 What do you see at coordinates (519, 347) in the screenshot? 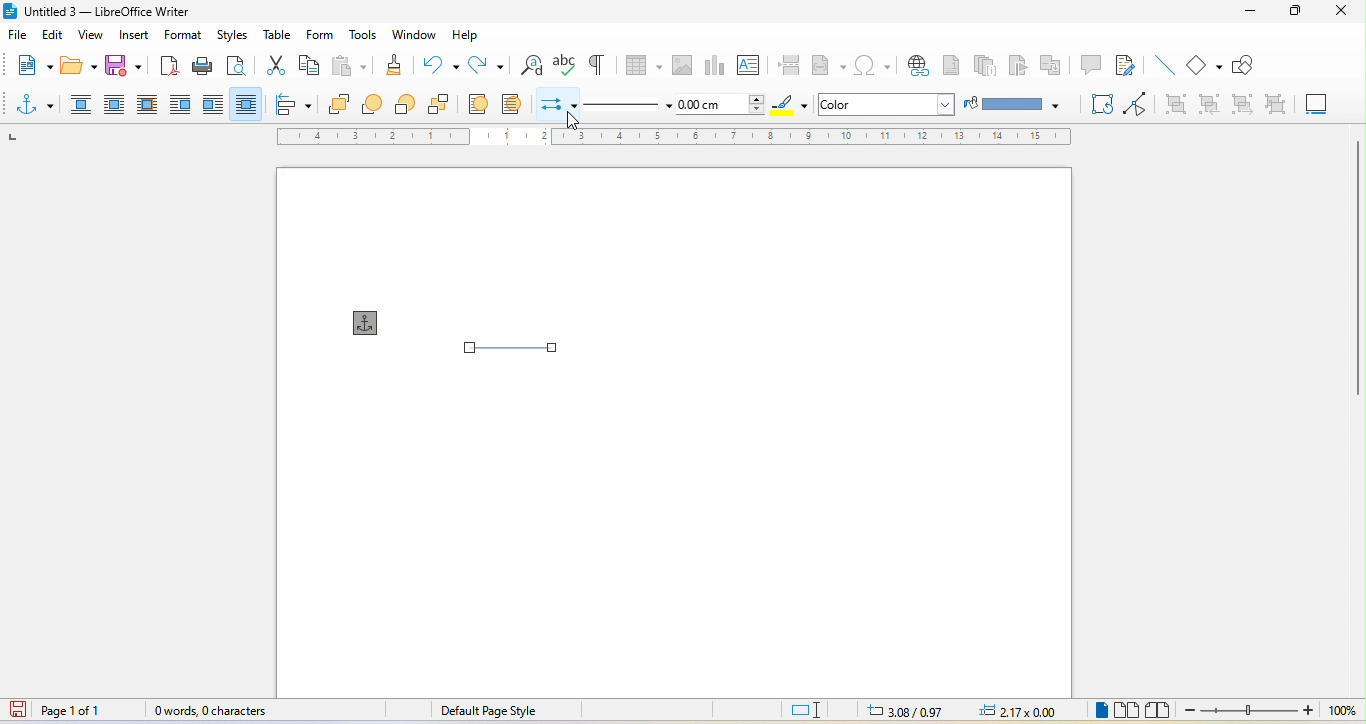
I see `select line` at bounding box center [519, 347].